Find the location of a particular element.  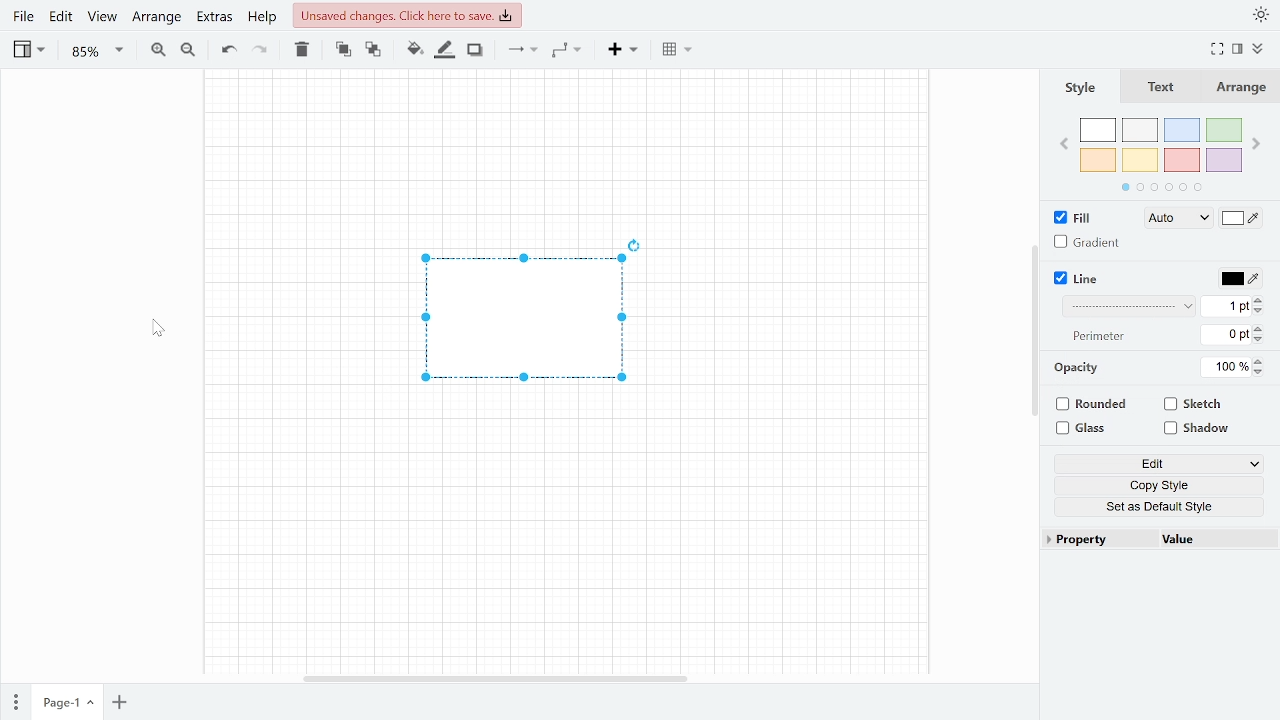

Copy style is located at coordinates (1162, 484).